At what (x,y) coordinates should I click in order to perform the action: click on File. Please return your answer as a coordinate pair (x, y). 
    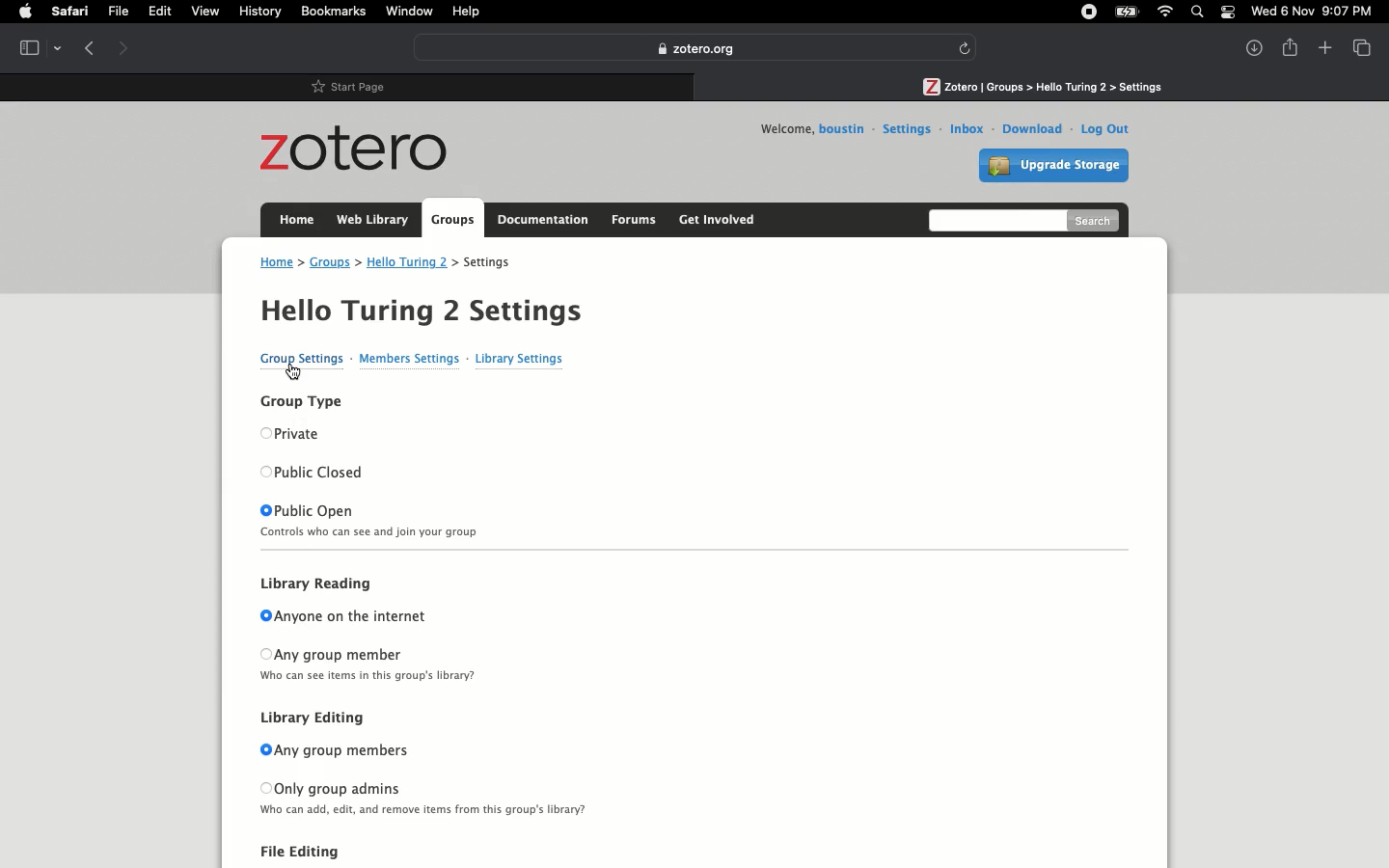
    Looking at the image, I should click on (122, 12).